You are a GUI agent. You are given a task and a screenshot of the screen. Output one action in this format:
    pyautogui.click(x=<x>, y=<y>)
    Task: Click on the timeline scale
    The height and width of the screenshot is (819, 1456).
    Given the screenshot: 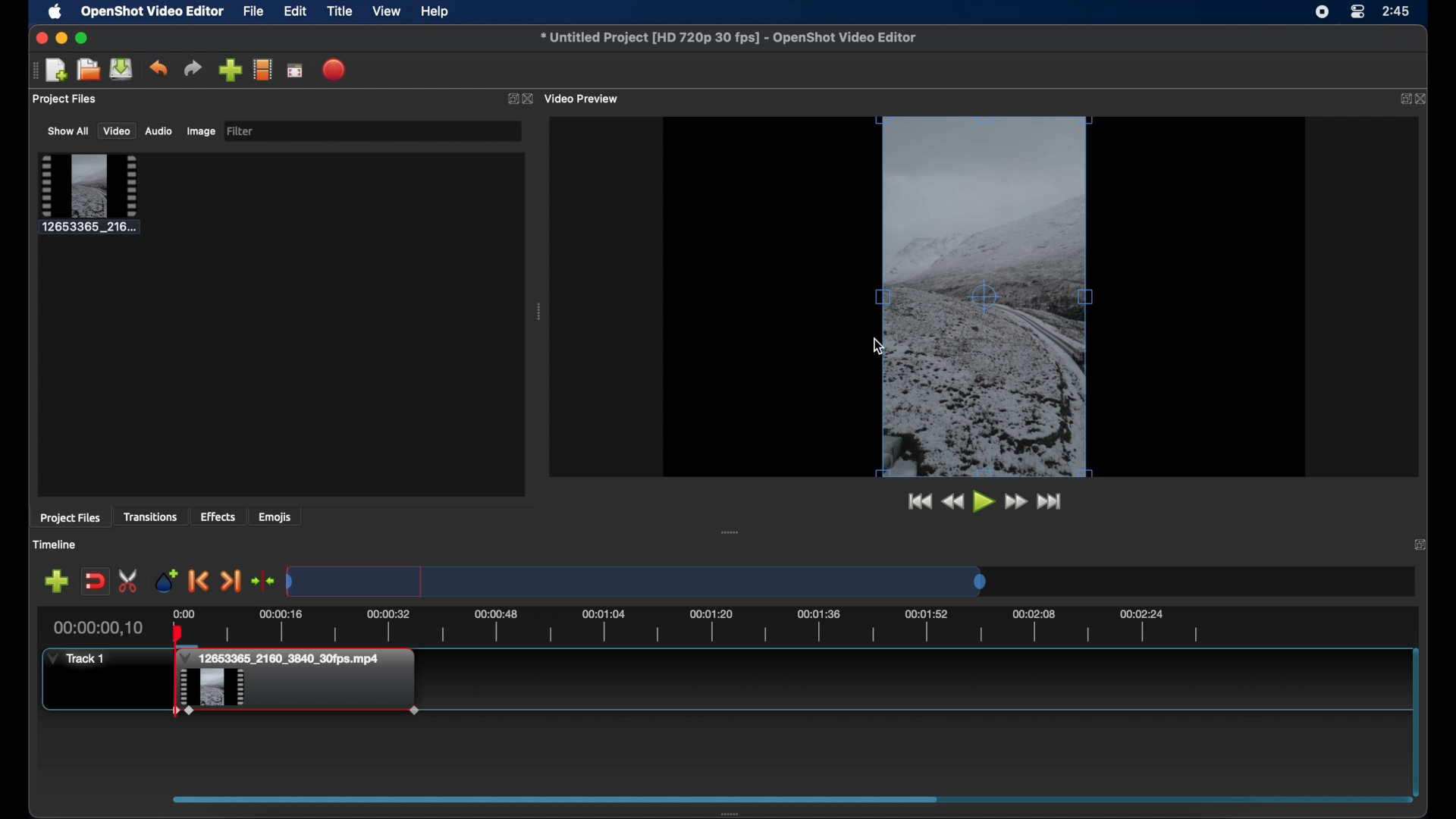 What is the action you would take?
    pyautogui.click(x=635, y=580)
    